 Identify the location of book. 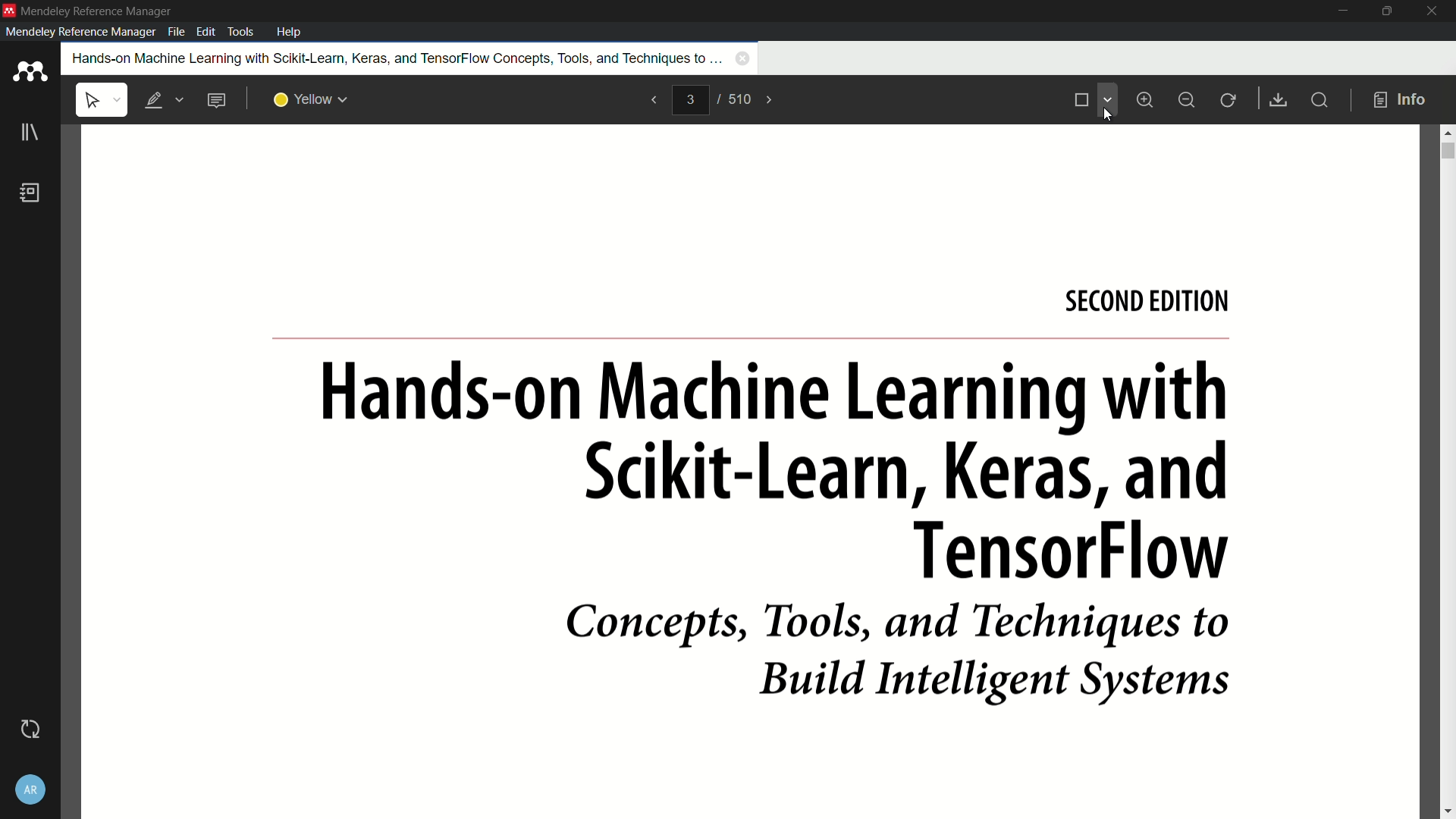
(30, 193).